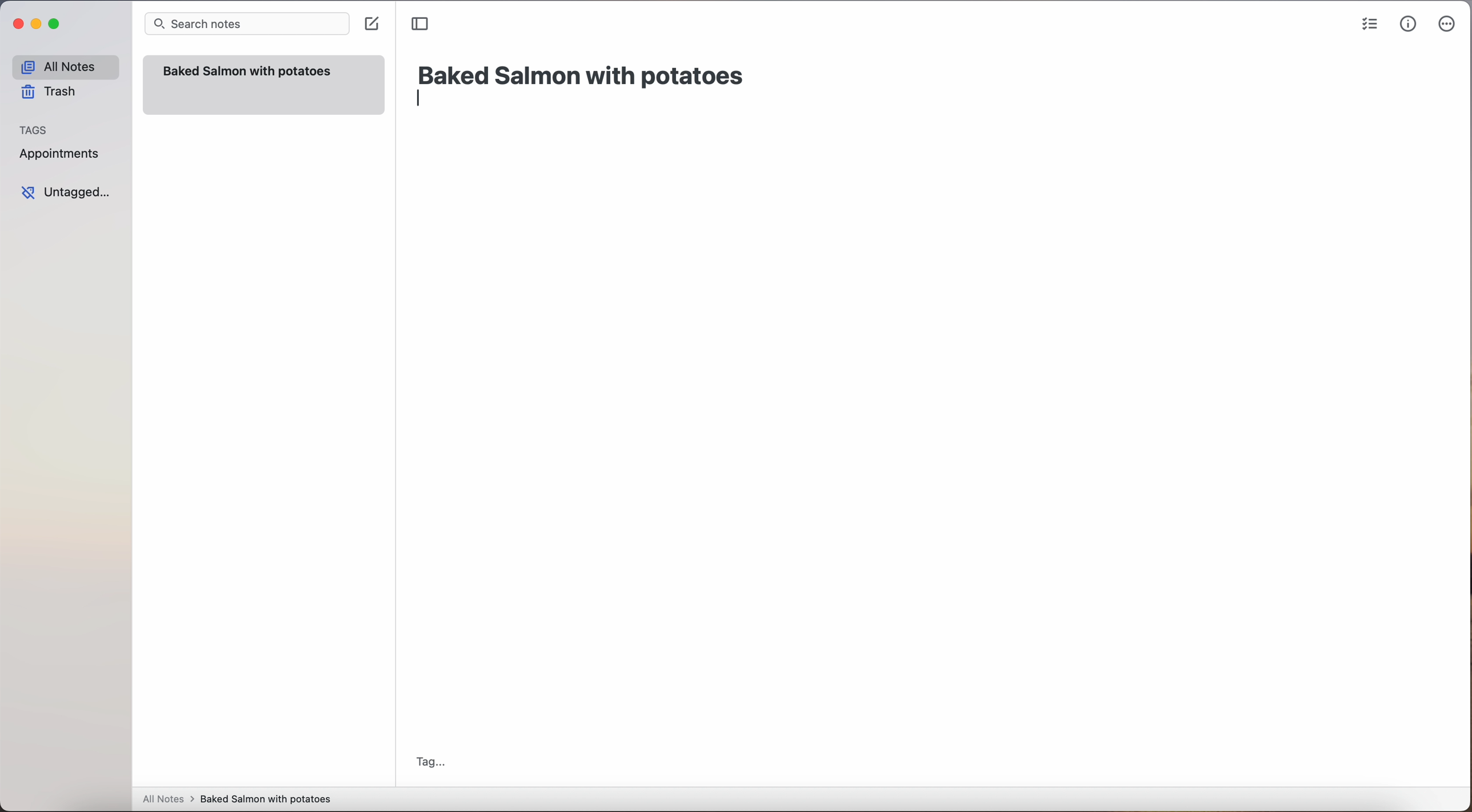 Image resolution: width=1472 pixels, height=812 pixels. I want to click on Enter, so click(422, 102).